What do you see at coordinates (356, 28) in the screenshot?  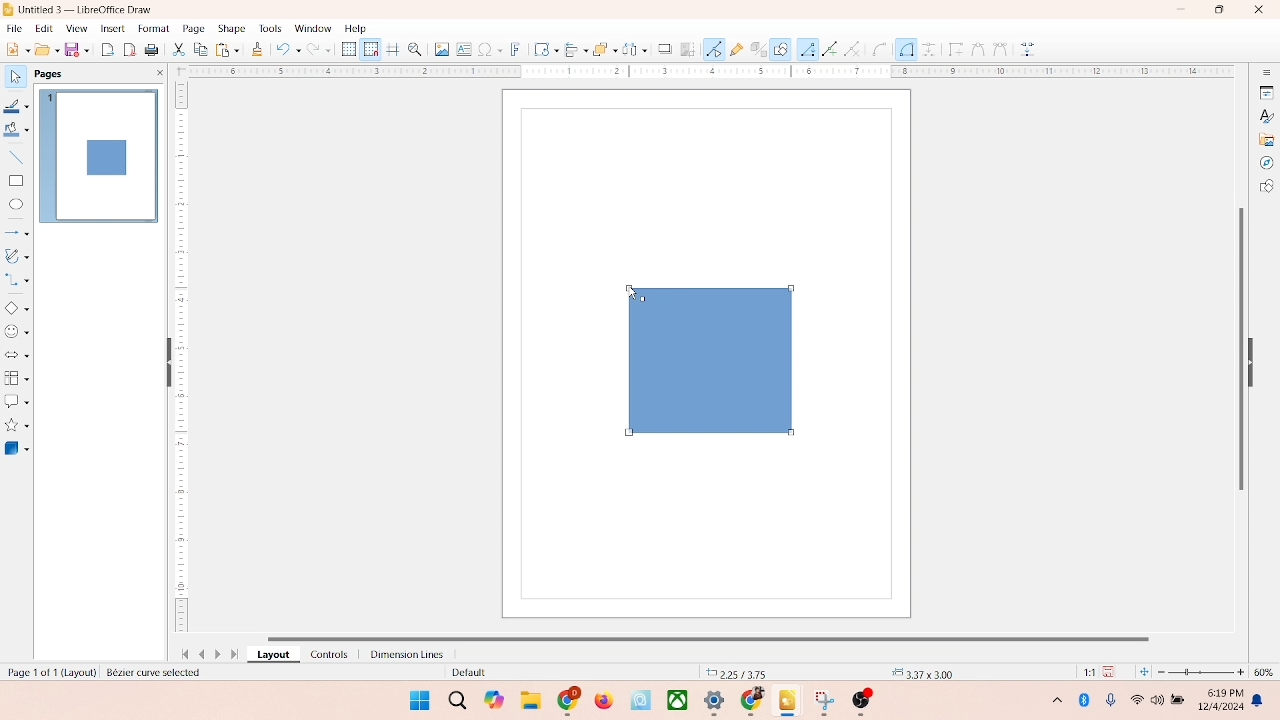 I see `help` at bounding box center [356, 28].